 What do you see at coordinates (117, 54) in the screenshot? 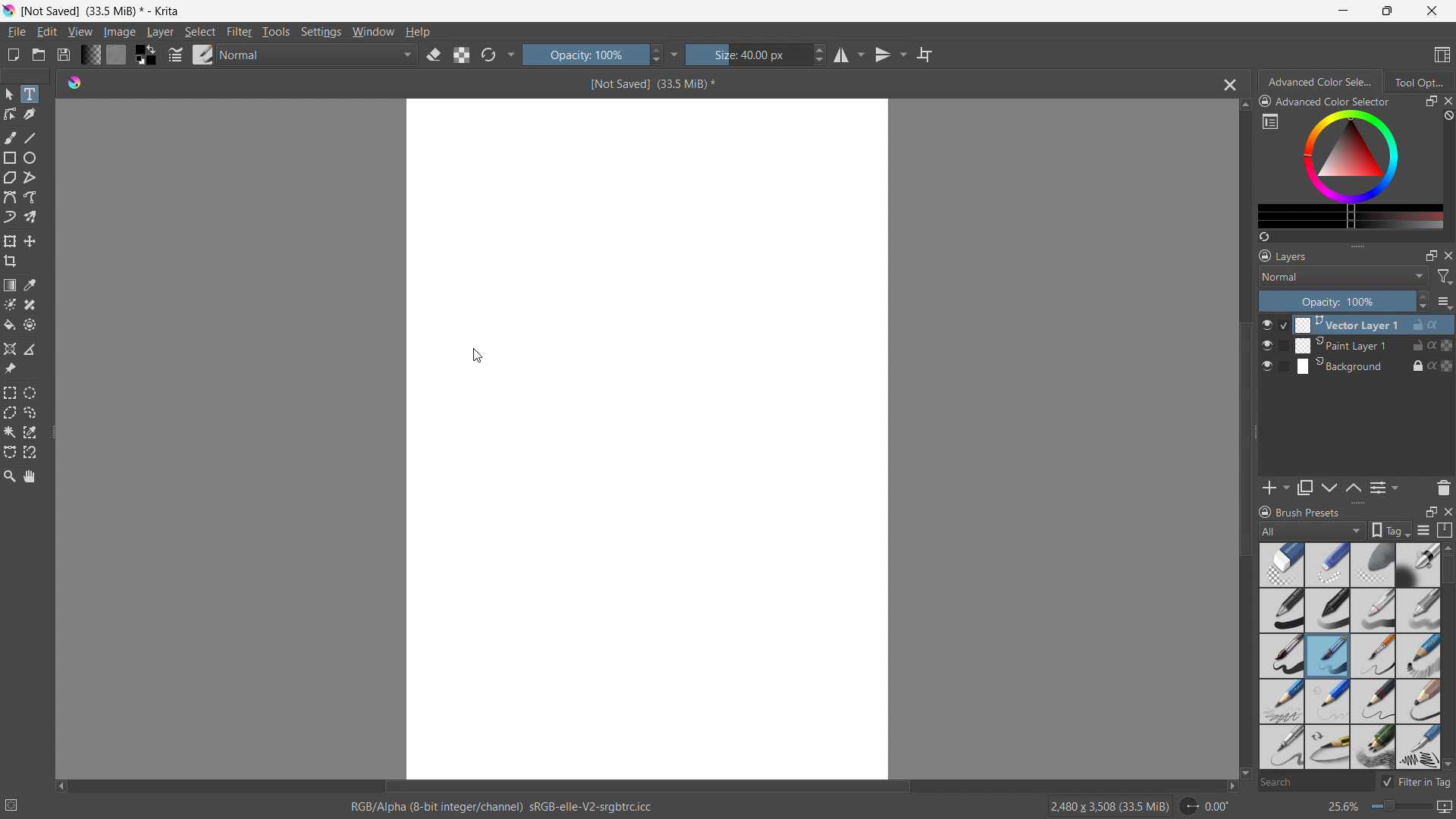
I see `fill pattern` at bounding box center [117, 54].